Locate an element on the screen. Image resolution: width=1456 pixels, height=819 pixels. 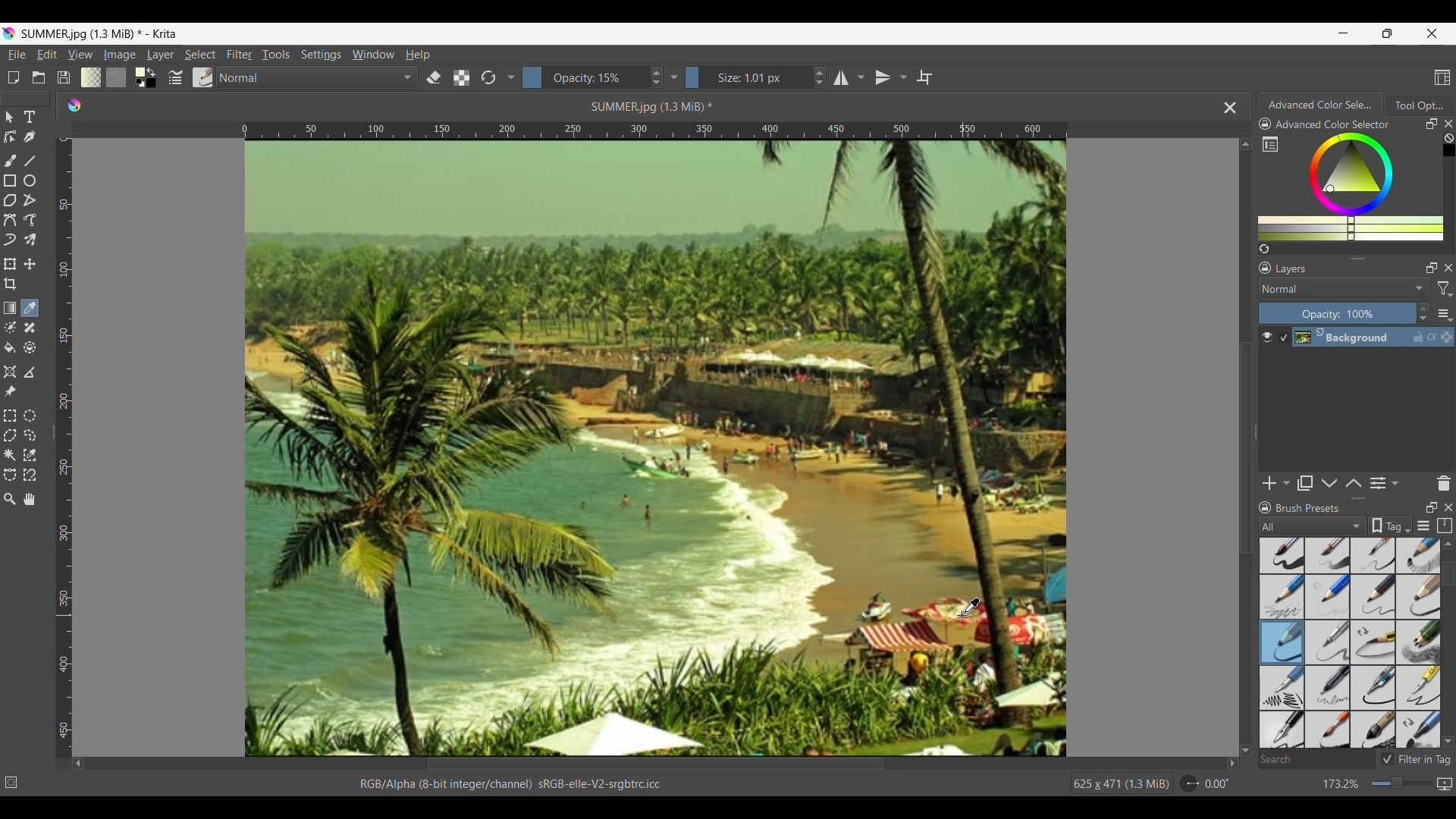
Measure the distance between two points is located at coordinates (30, 373).